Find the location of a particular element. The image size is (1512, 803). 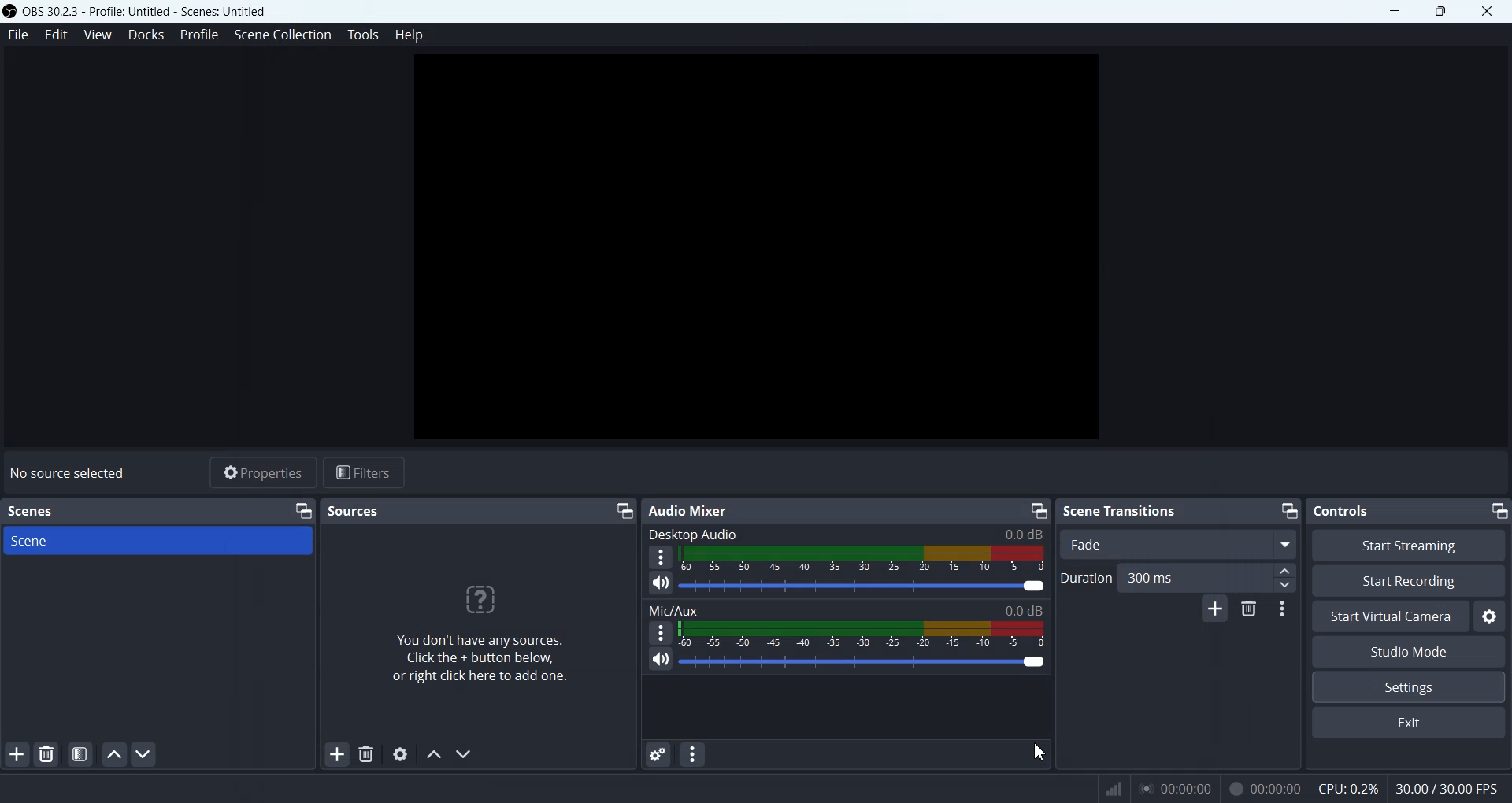

Help is located at coordinates (409, 38).